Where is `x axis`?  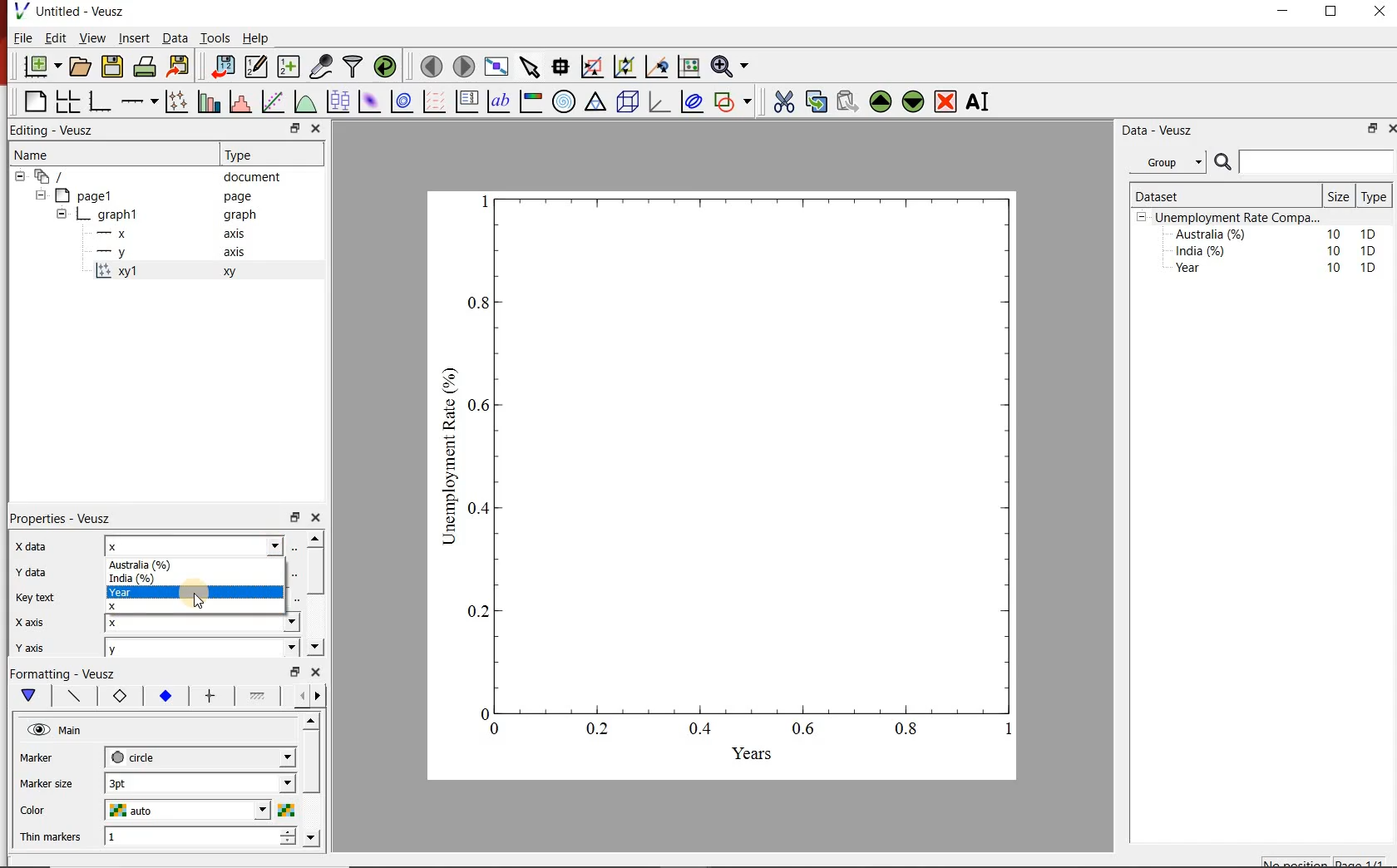 x axis is located at coordinates (31, 622).